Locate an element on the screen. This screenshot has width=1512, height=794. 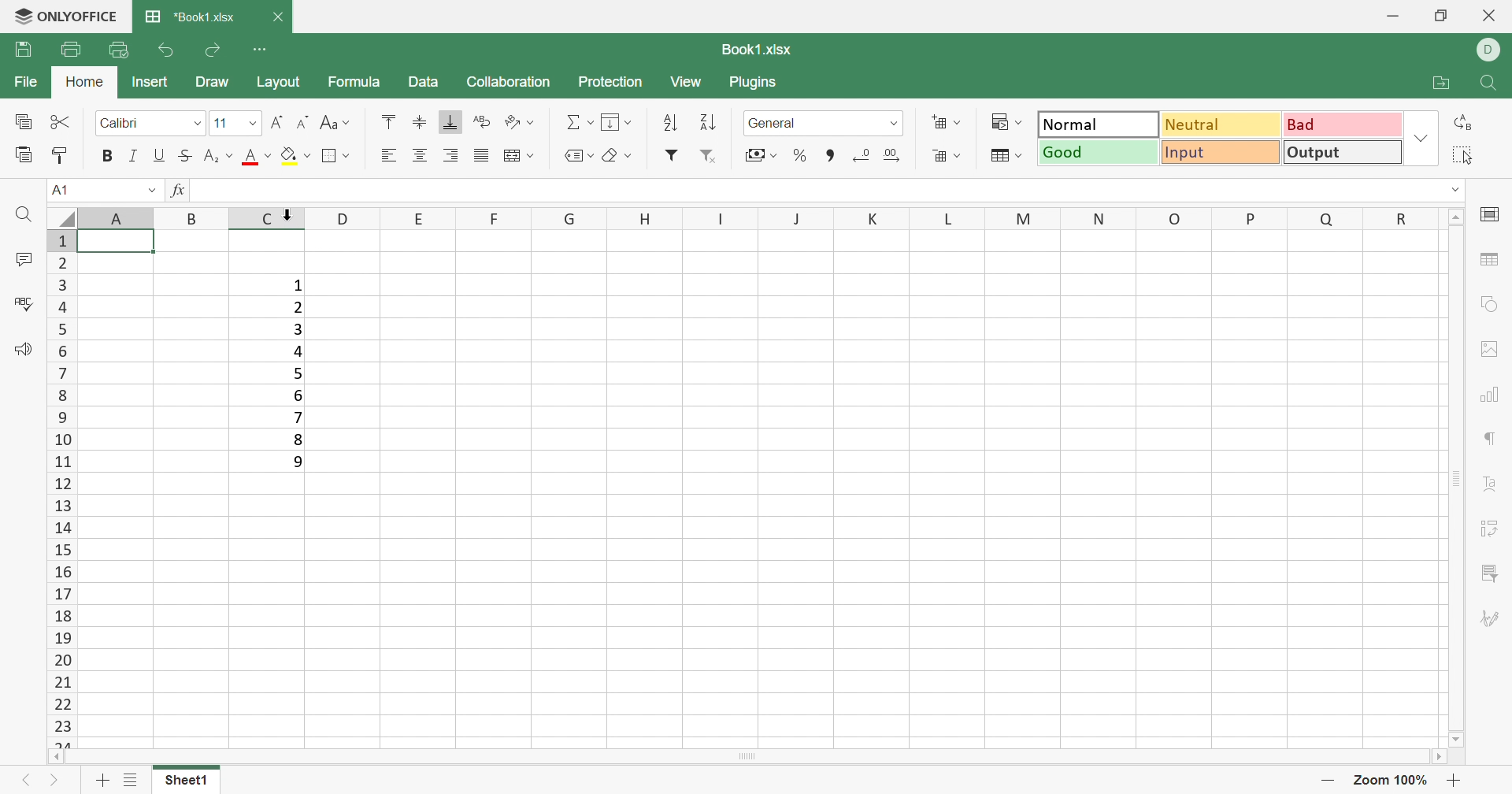
Borders is located at coordinates (338, 157).